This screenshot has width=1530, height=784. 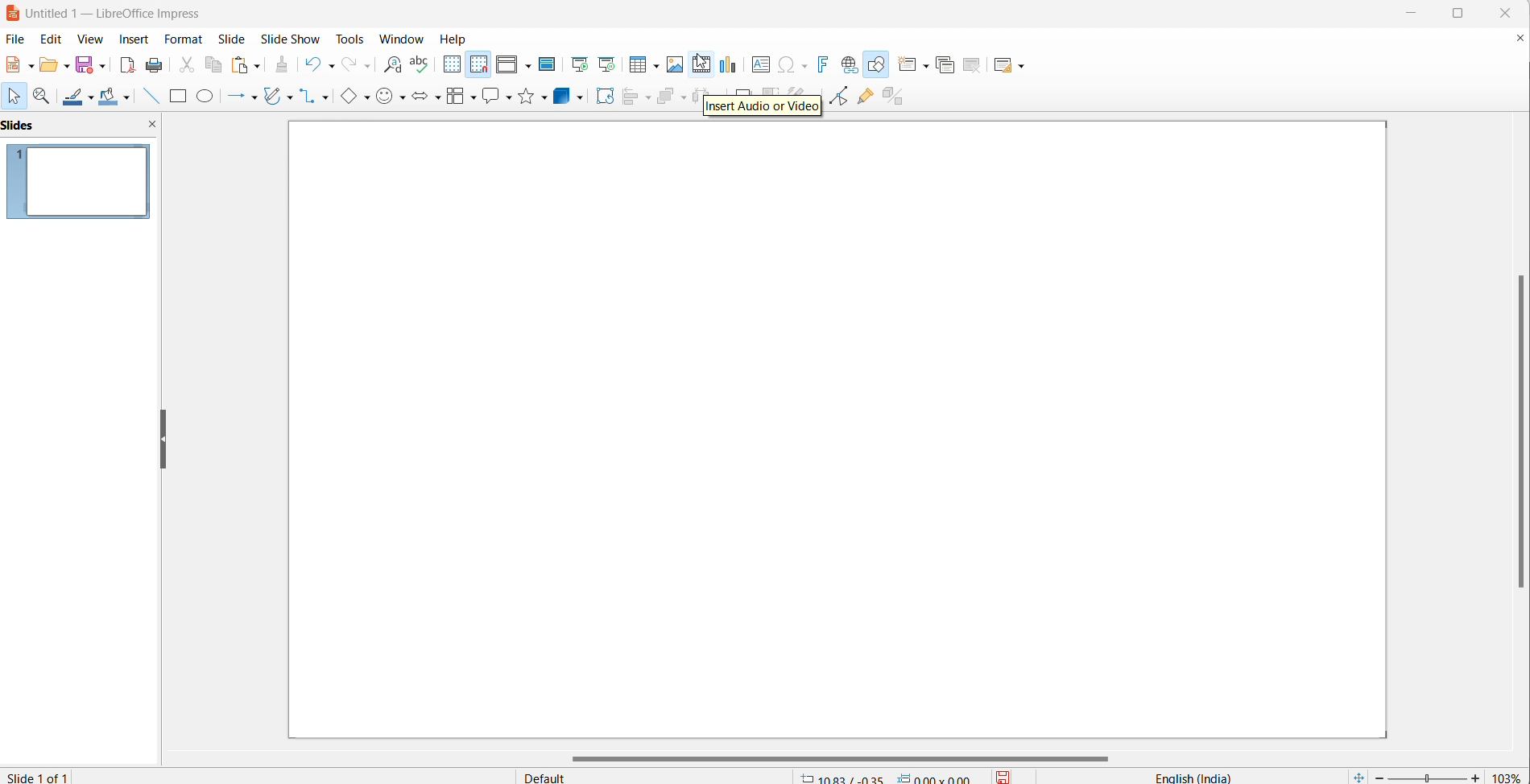 What do you see at coordinates (349, 65) in the screenshot?
I see `redo` at bounding box center [349, 65].